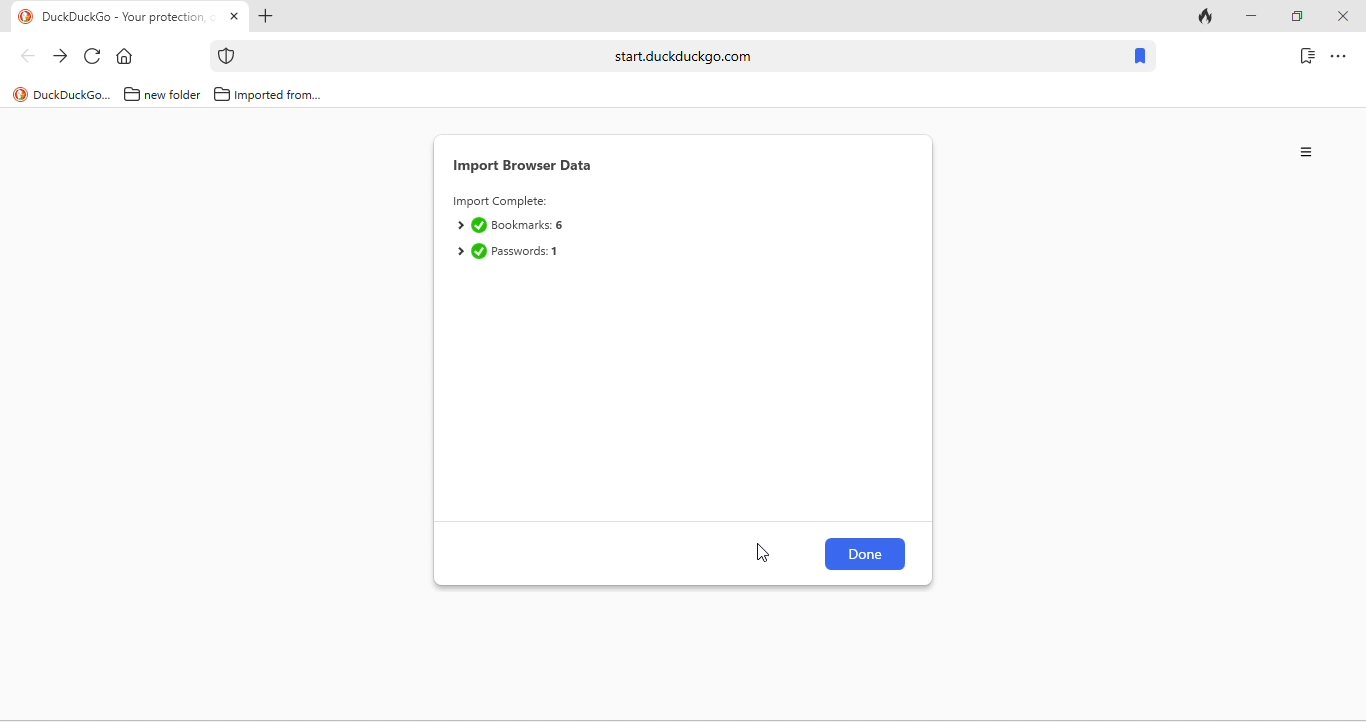 This screenshot has width=1366, height=722. I want to click on Expand, so click(459, 226).